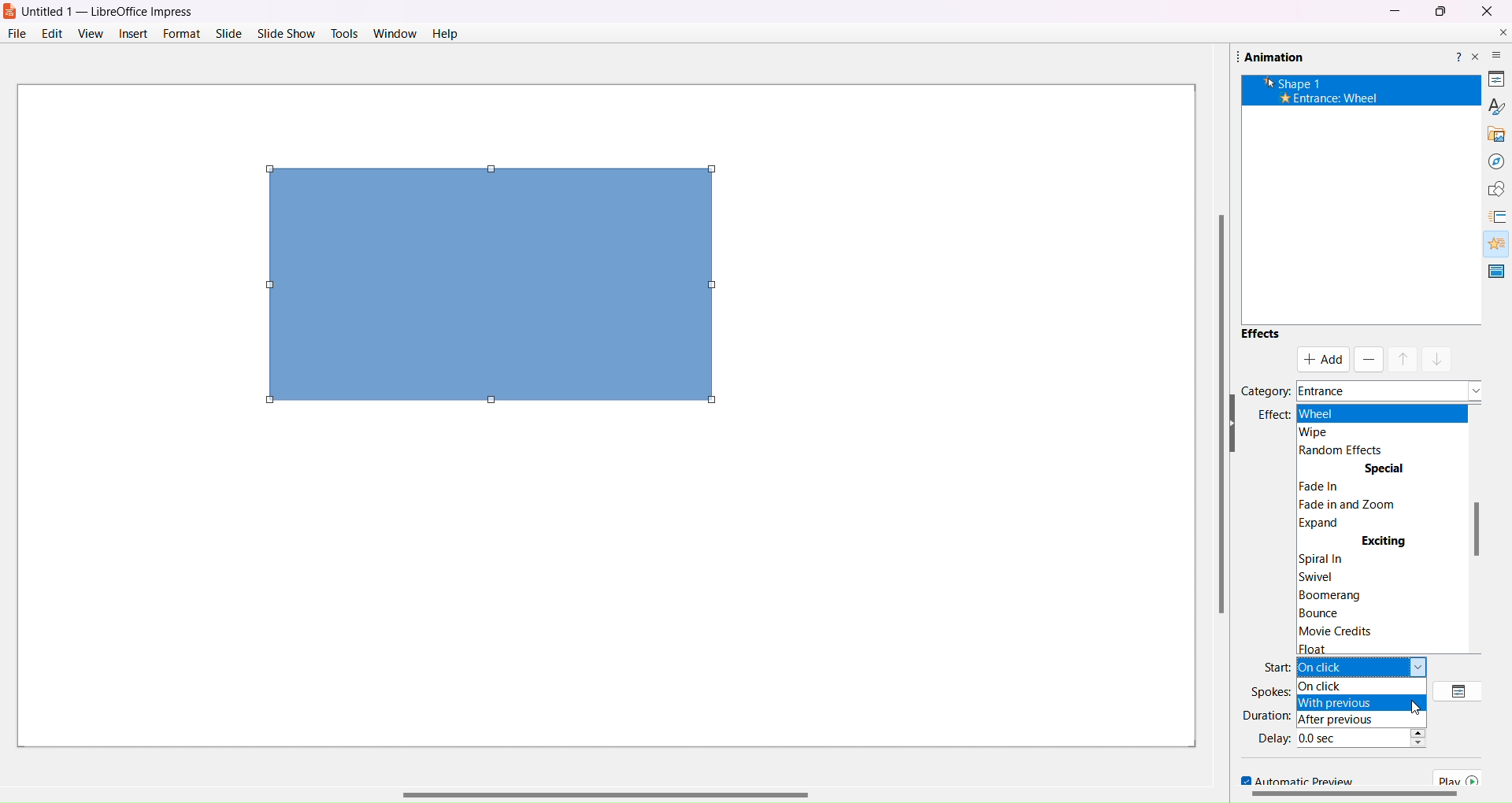  I want to click on Window, so click(395, 33).